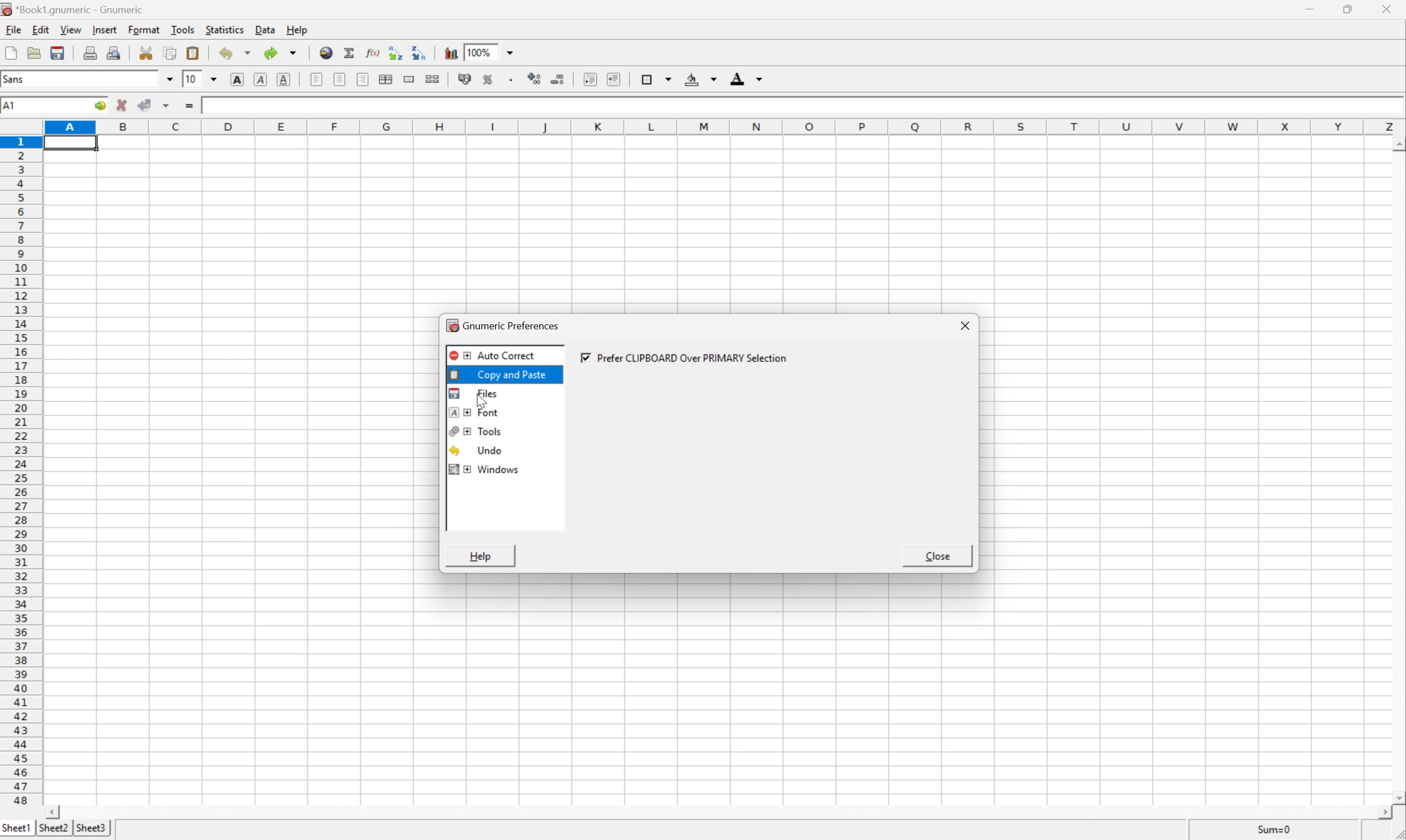 The width and height of the screenshot is (1406, 840). I want to click on Cursor on files, so click(493, 397).